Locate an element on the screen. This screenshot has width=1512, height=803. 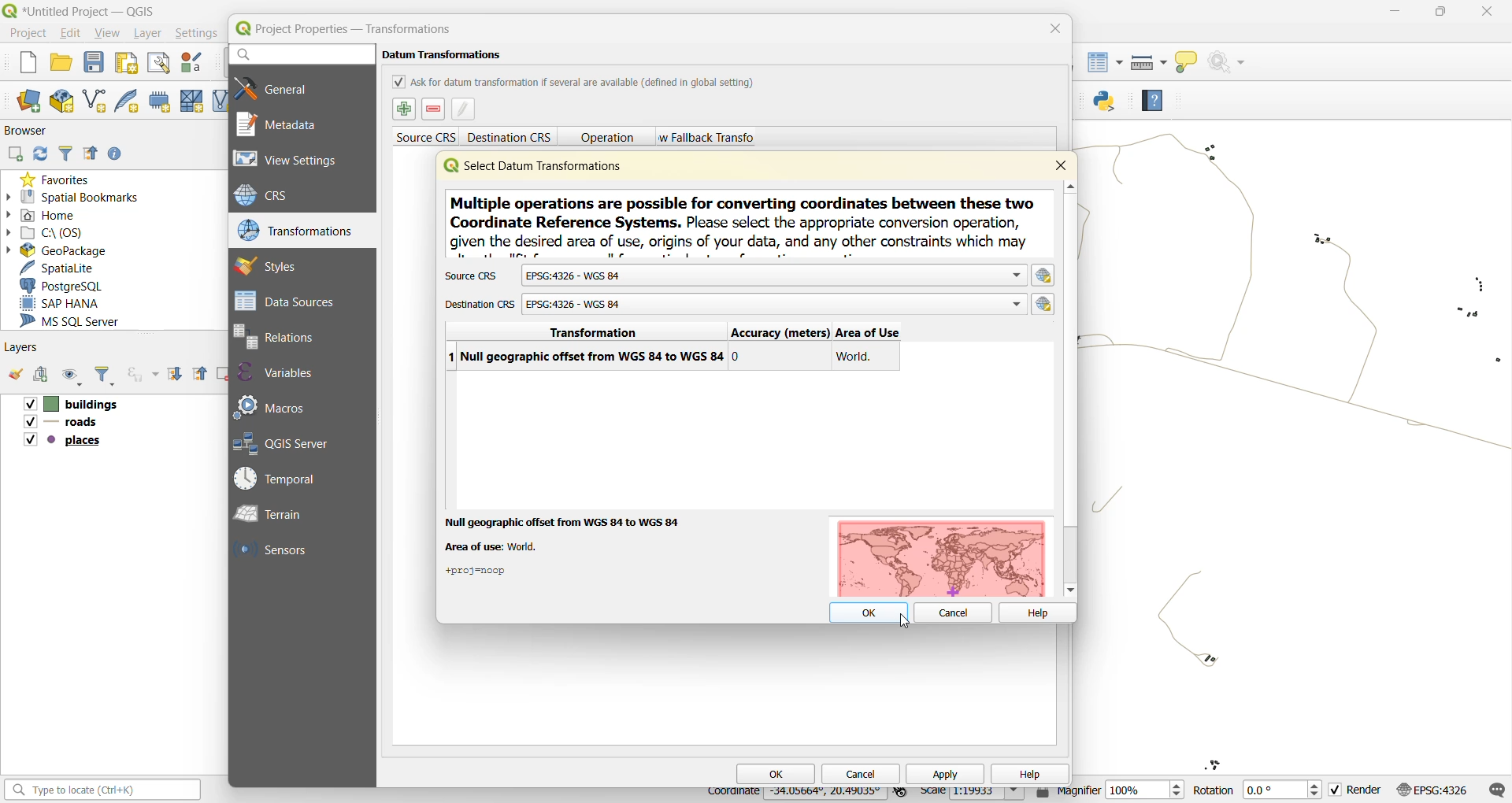
show layout is located at coordinates (154, 63).